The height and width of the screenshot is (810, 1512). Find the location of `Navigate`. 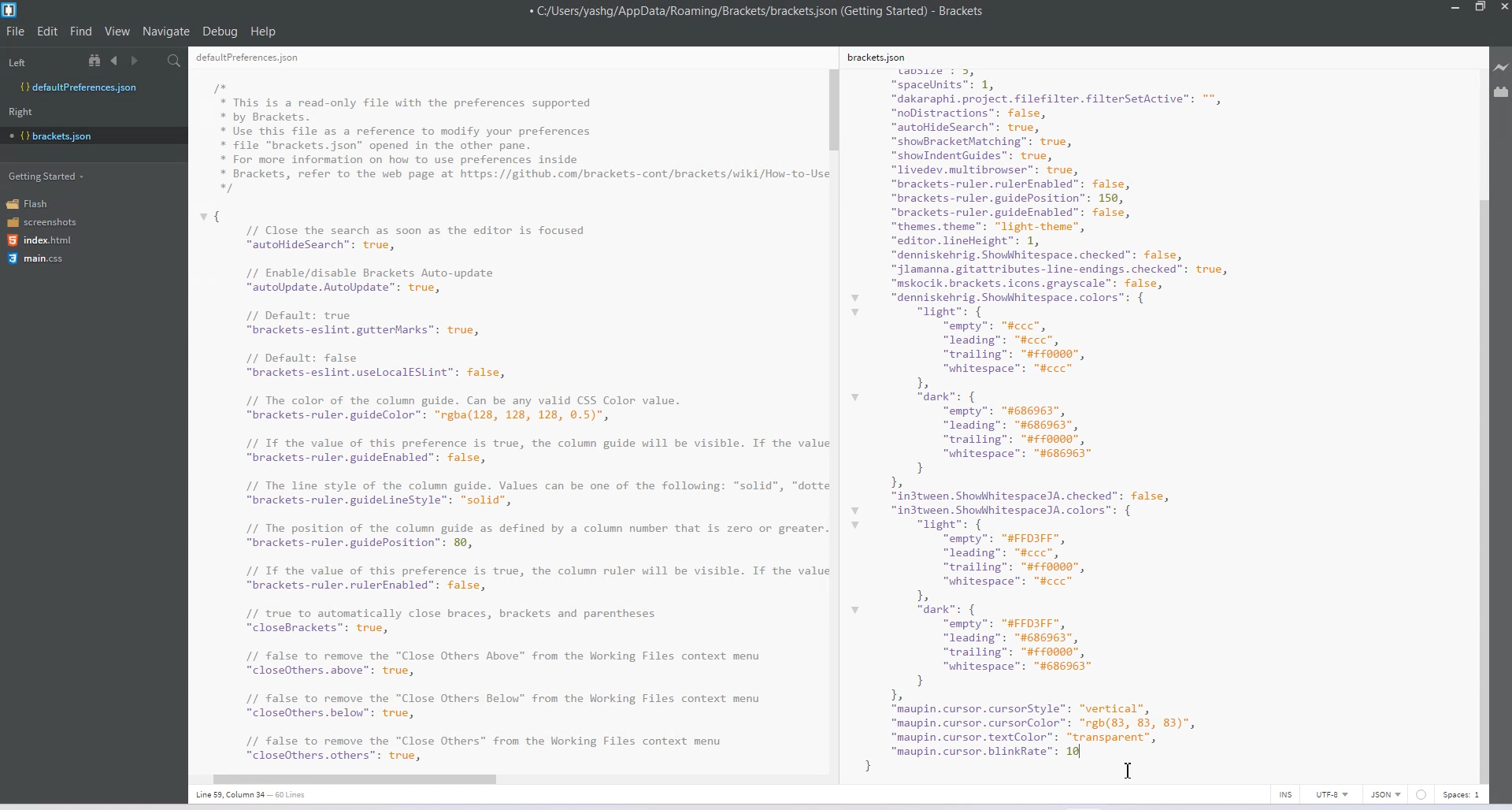

Navigate is located at coordinates (168, 32).